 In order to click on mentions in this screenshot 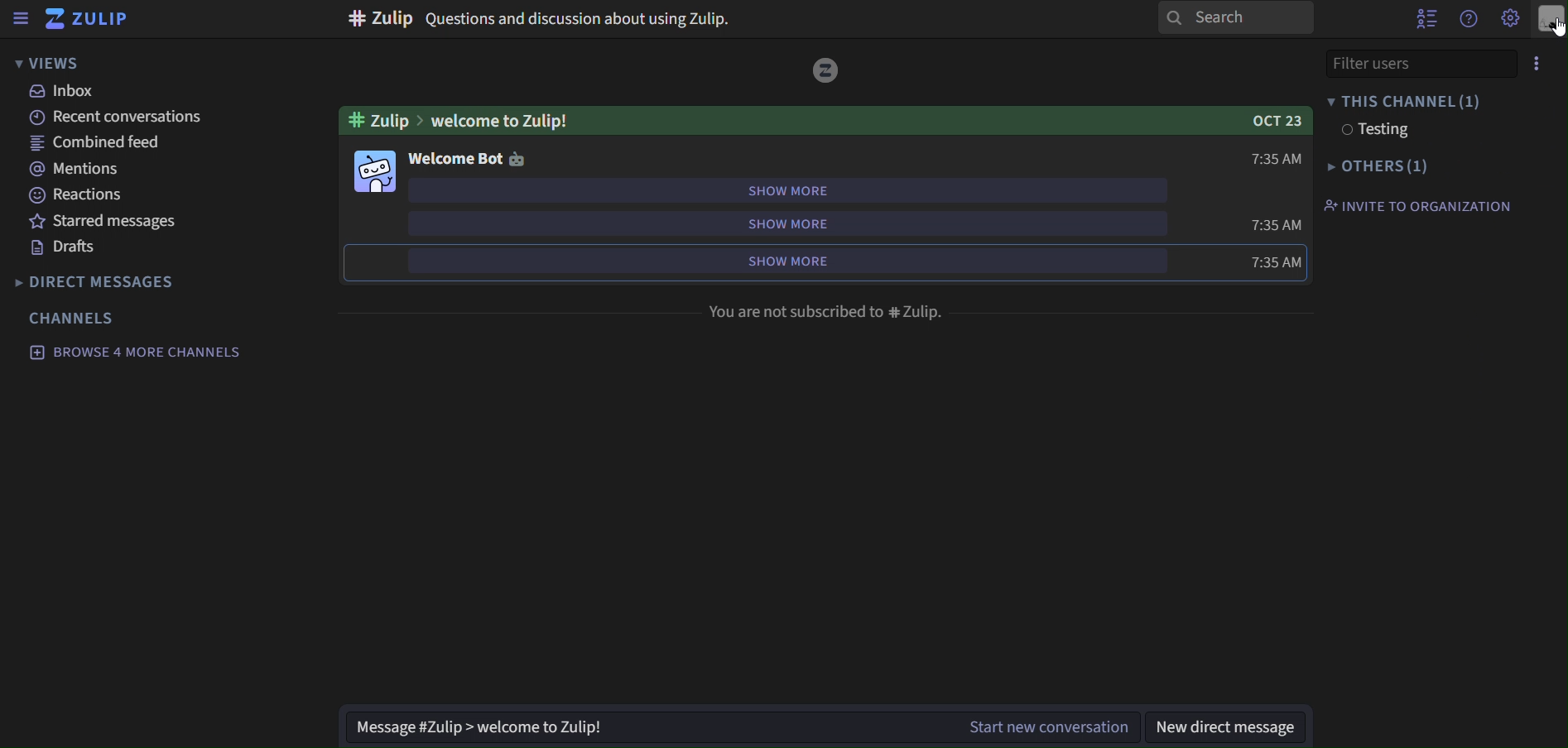, I will do `click(81, 170)`.